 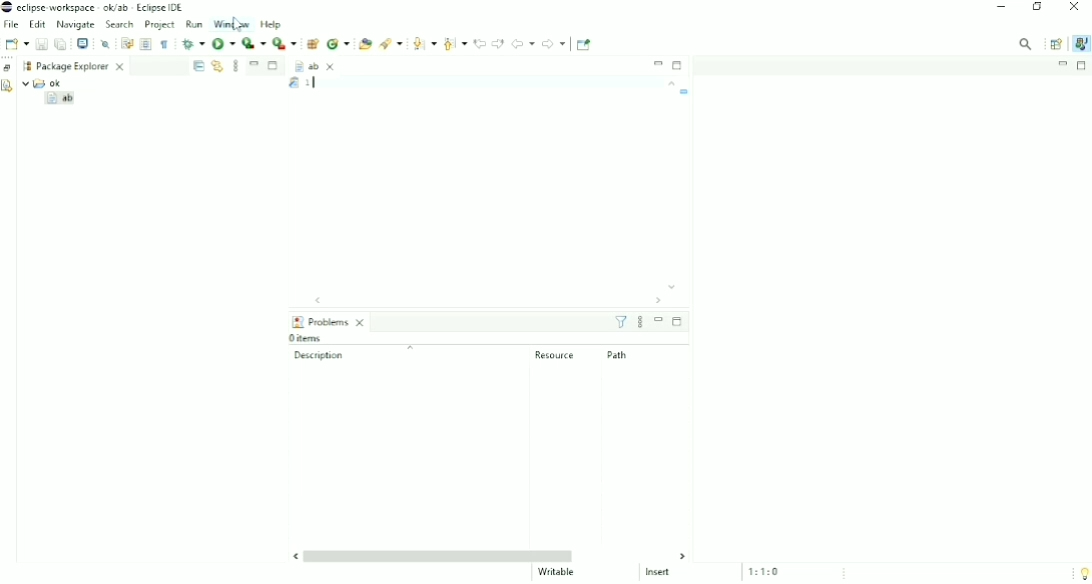 I want to click on Run, so click(x=224, y=45).